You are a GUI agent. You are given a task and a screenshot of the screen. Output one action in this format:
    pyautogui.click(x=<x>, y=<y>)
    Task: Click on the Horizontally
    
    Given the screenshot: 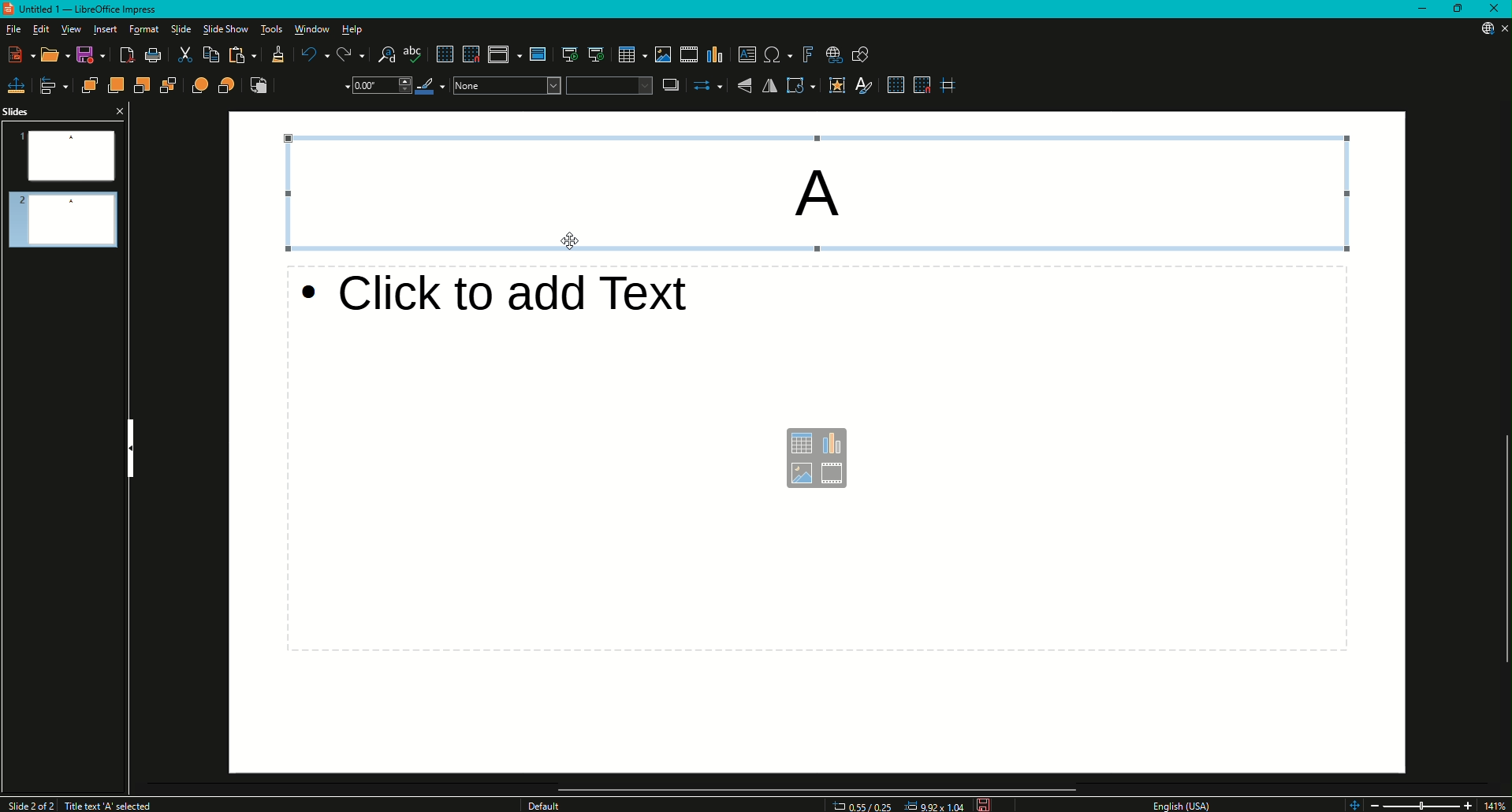 What is the action you would take?
    pyautogui.click(x=773, y=85)
    